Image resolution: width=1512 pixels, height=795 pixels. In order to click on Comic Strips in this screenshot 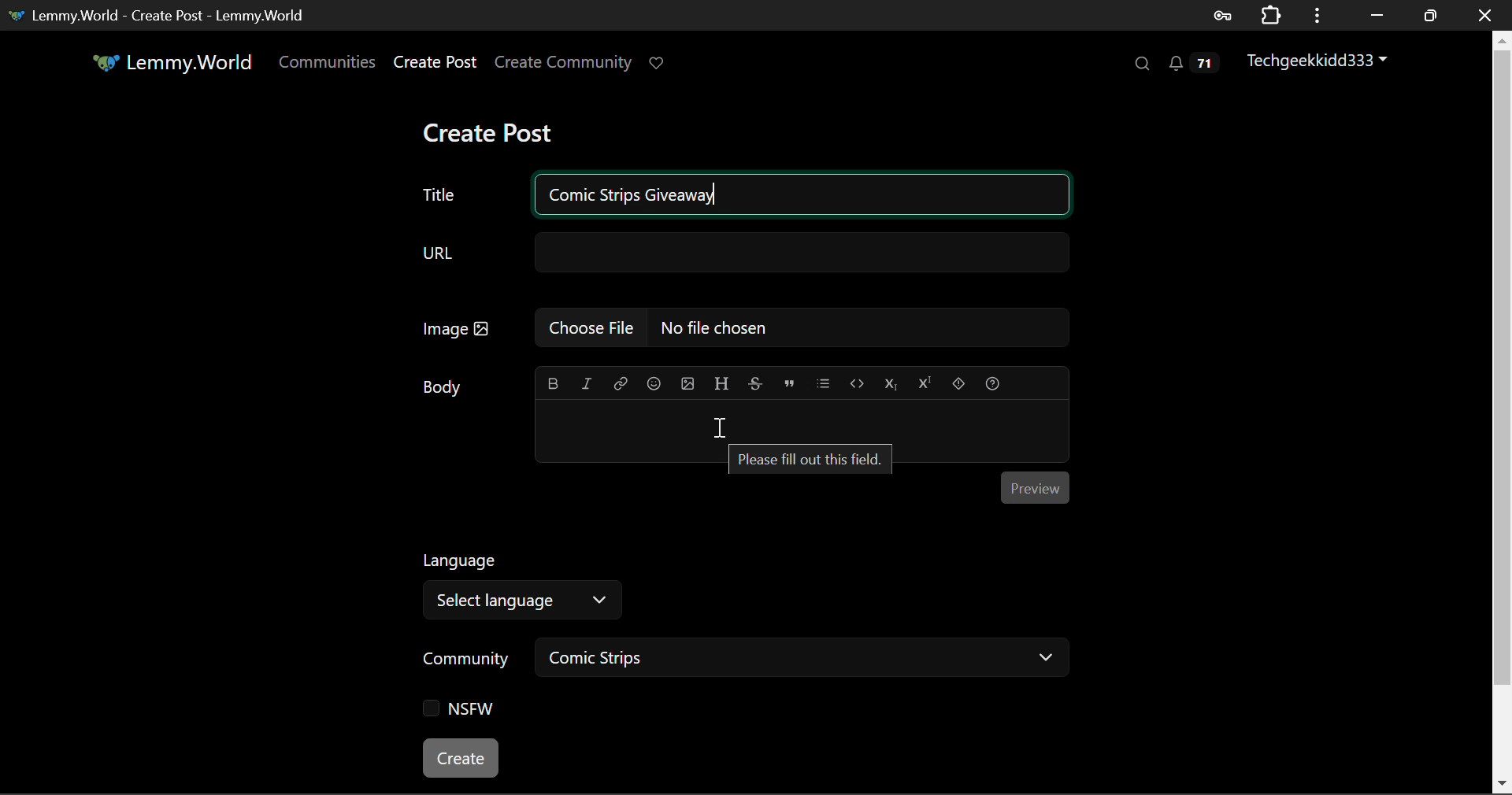, I will do `click(804, 656)`.